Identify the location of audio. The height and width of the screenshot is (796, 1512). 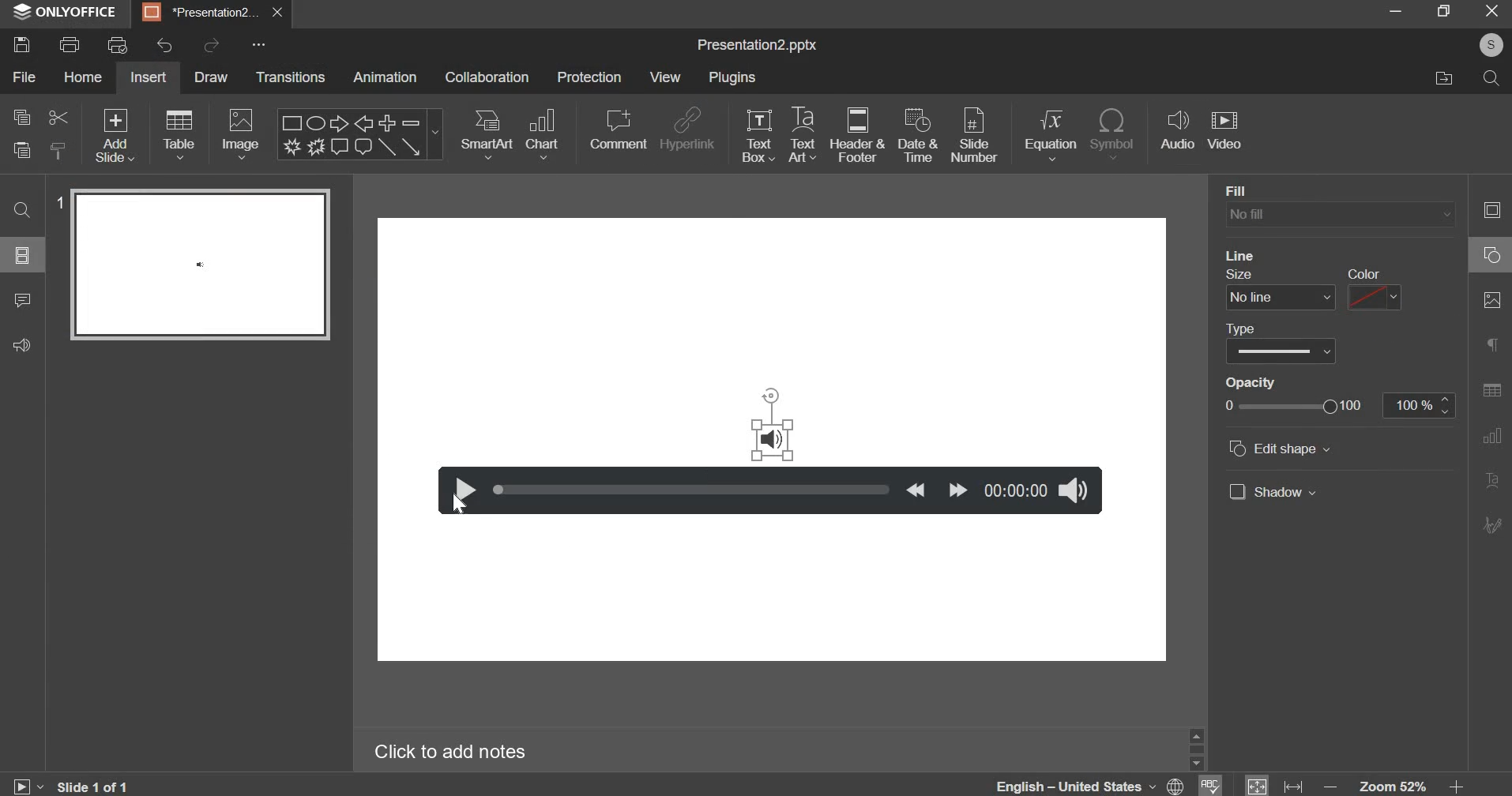
(773, 440).